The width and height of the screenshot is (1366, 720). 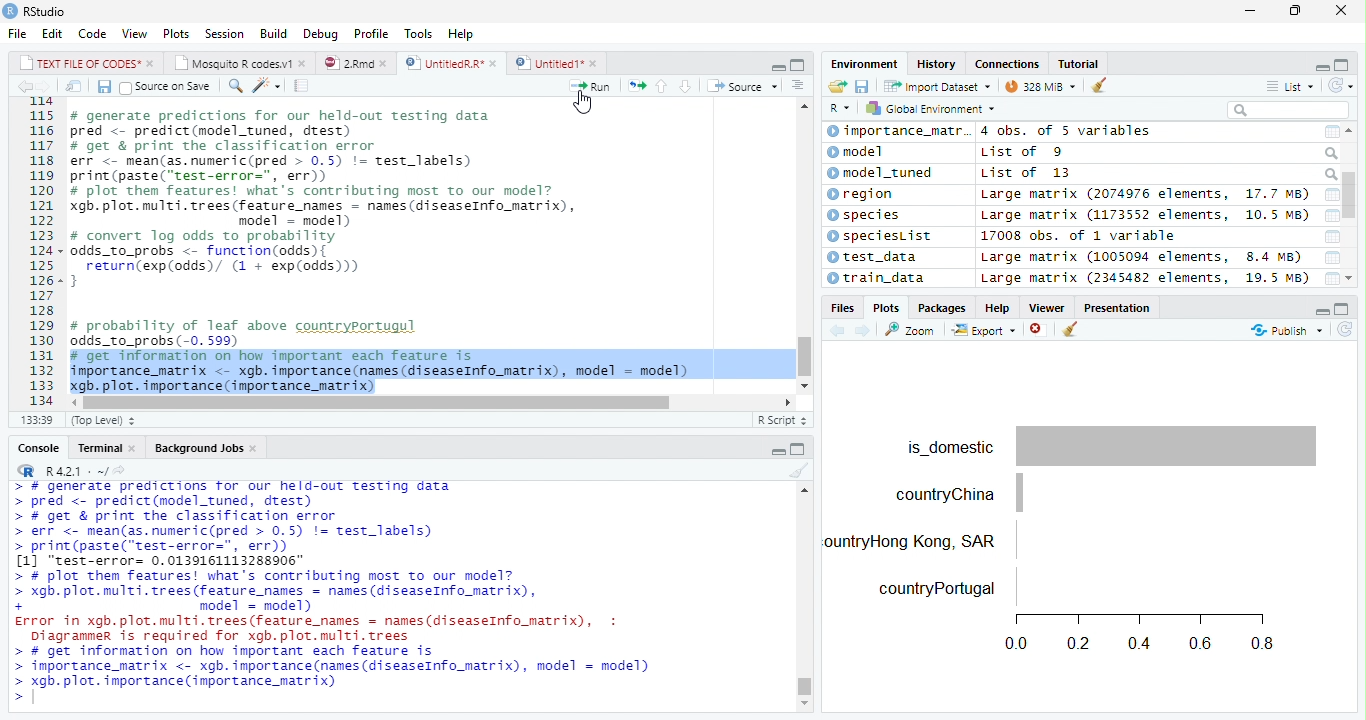 I want to click on Large matrix (2345482 elements, 19.5 MB), so click(x=1146, y=278).